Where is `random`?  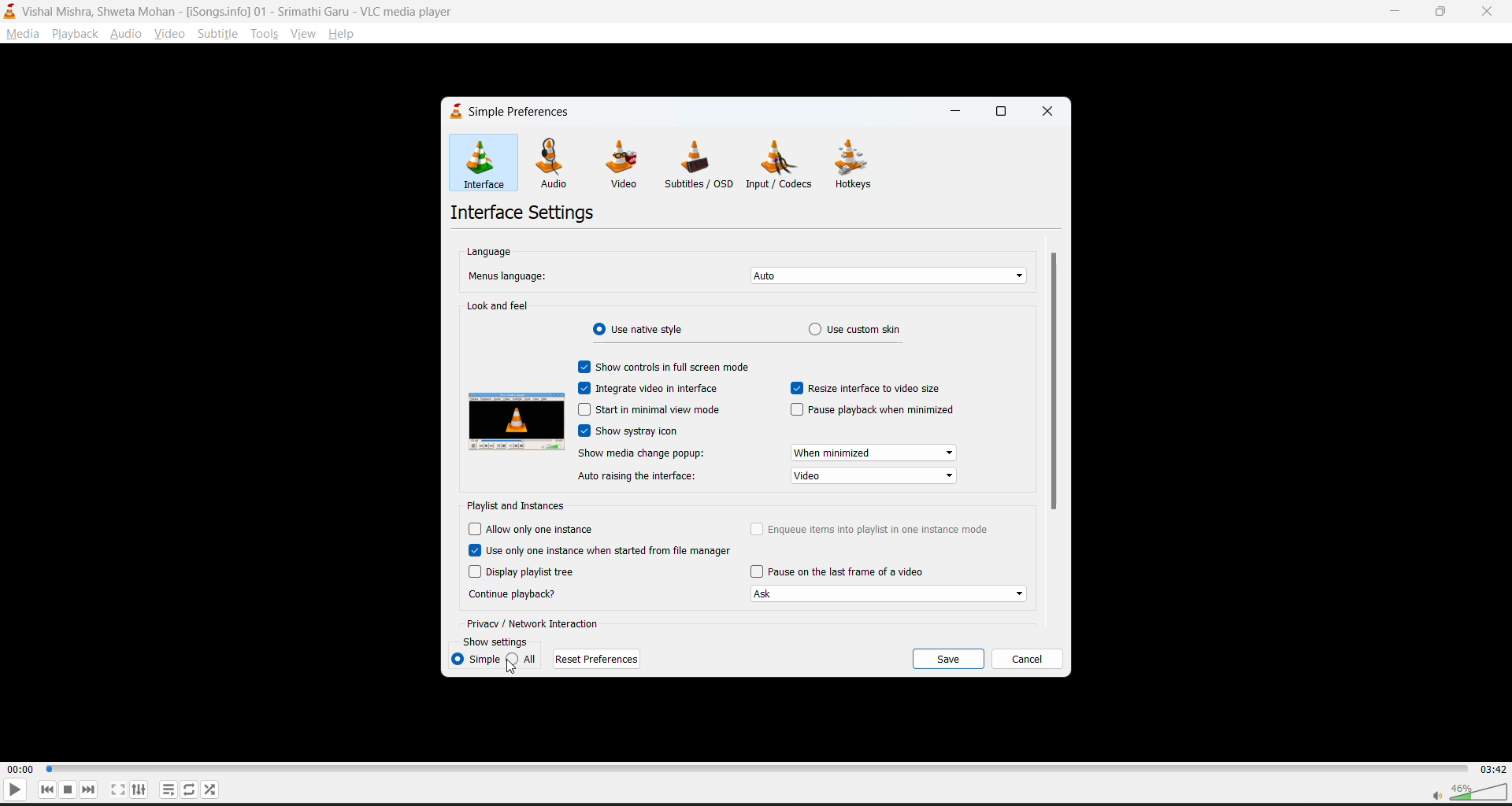 random is located at coordinates (209, 787).